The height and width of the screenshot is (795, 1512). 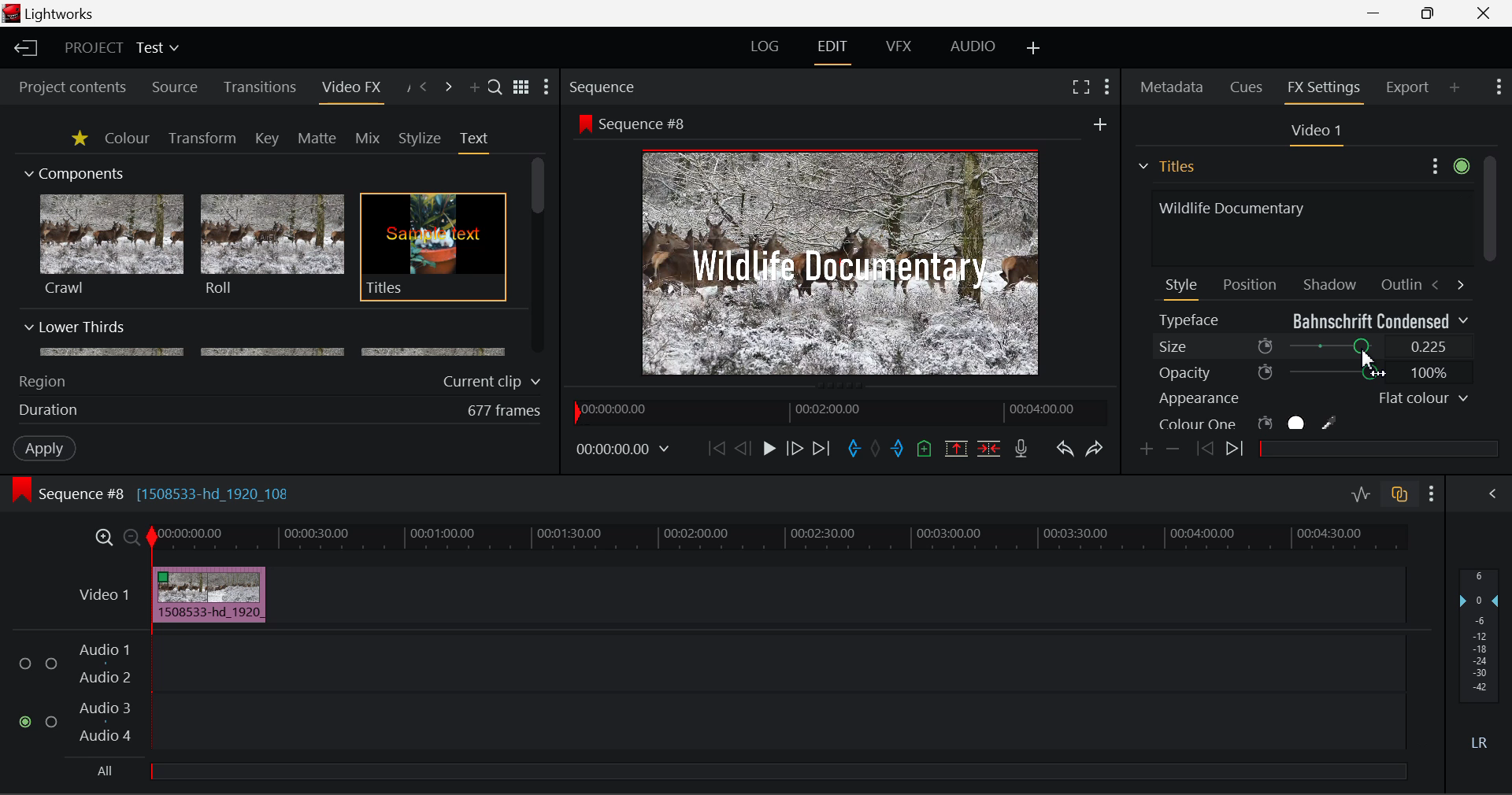 I want to click on Show Settings, so click(x=1499, y=85).